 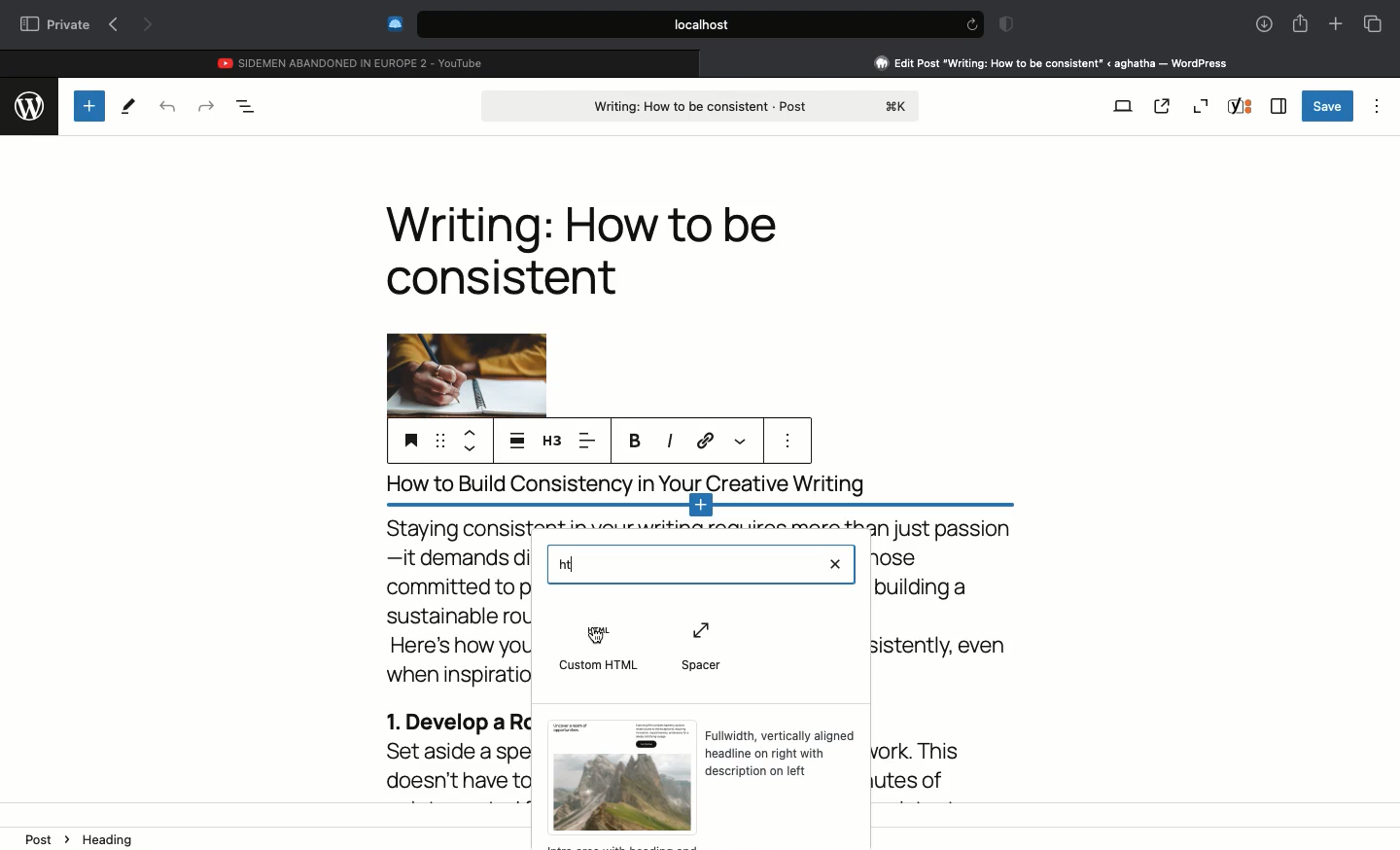 I want to click on H3, so click(x=552, y=441).